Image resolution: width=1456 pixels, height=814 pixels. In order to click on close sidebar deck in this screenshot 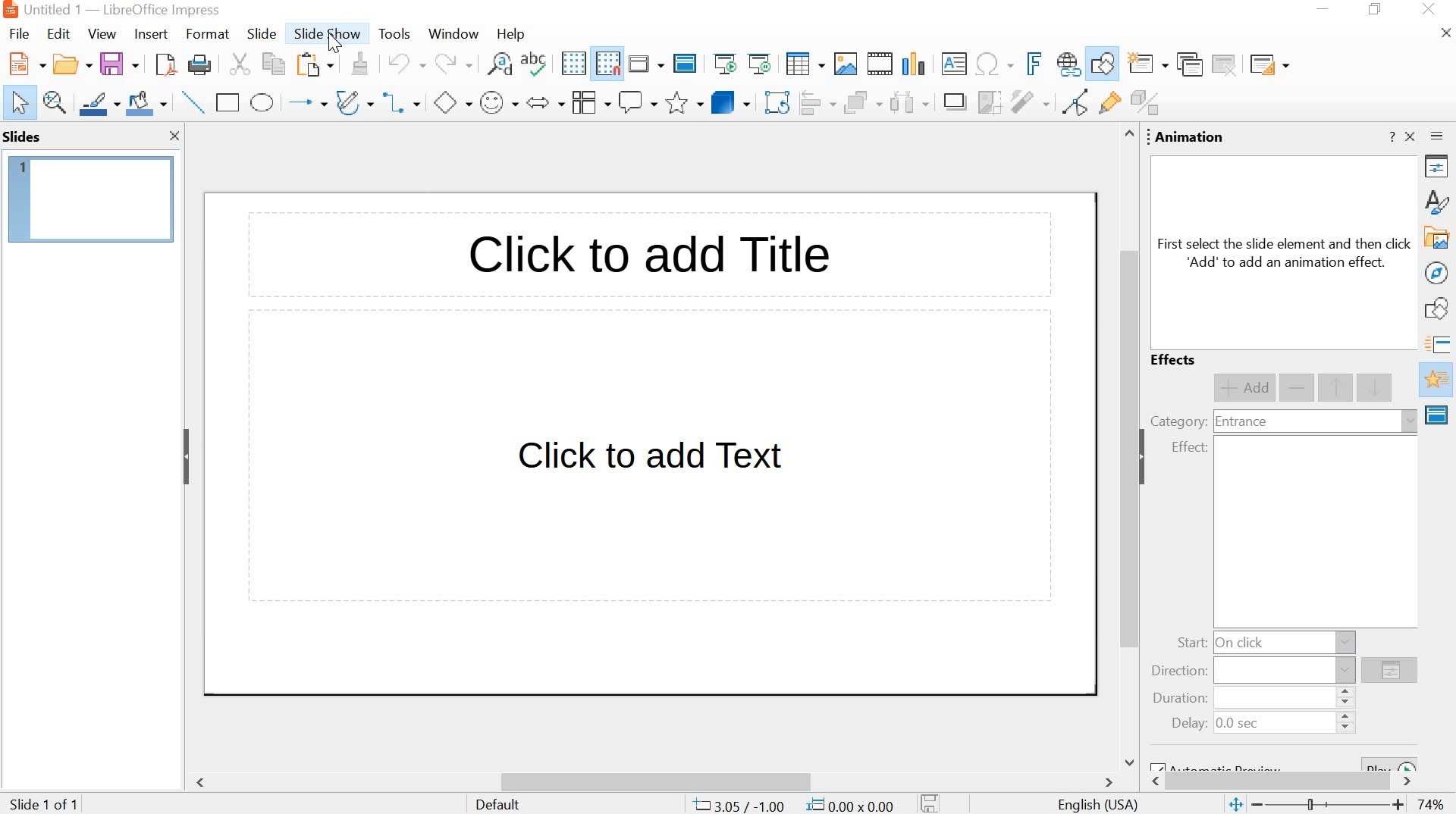, I will do `click(1411, 136)`.